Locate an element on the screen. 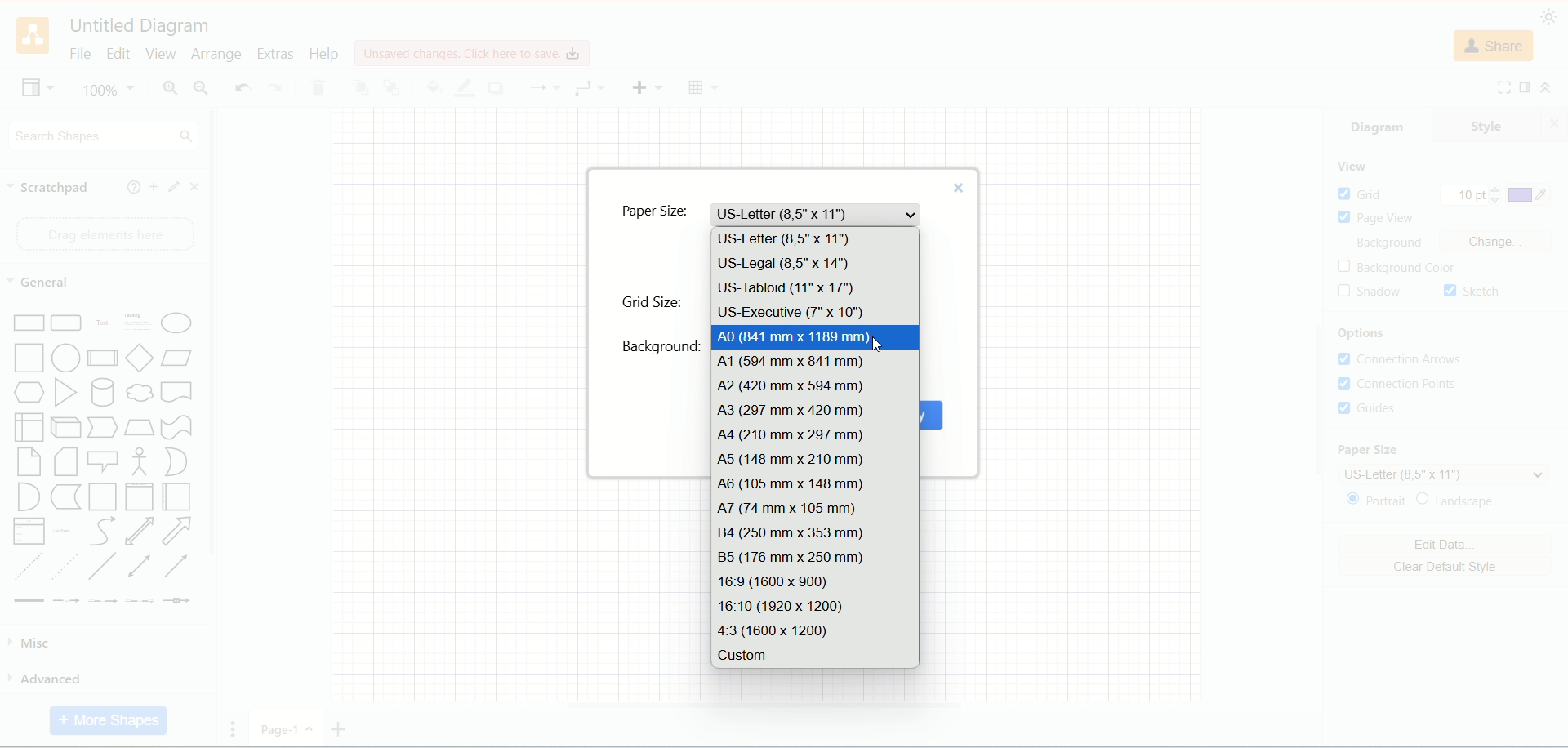  Circle is located at coordinates (68, 359).